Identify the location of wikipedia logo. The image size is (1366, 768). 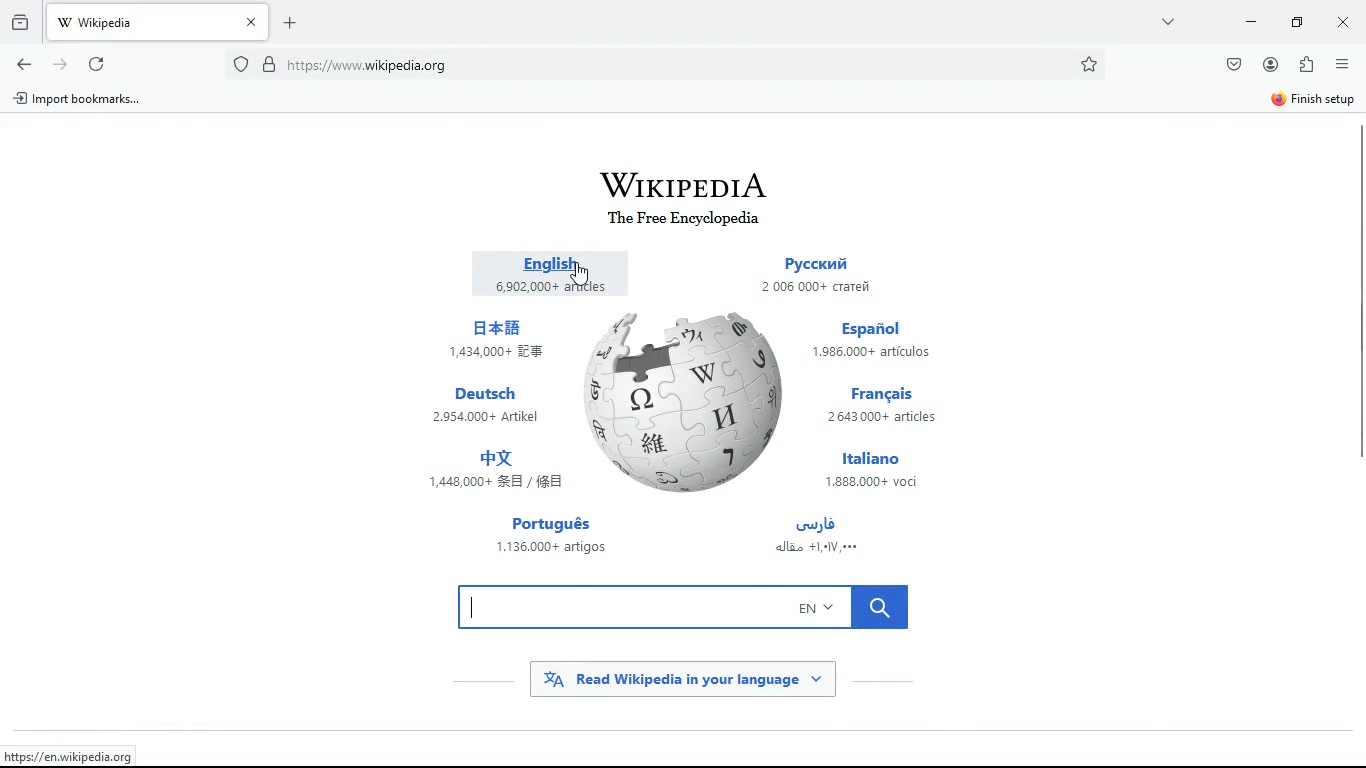
(688, 407).